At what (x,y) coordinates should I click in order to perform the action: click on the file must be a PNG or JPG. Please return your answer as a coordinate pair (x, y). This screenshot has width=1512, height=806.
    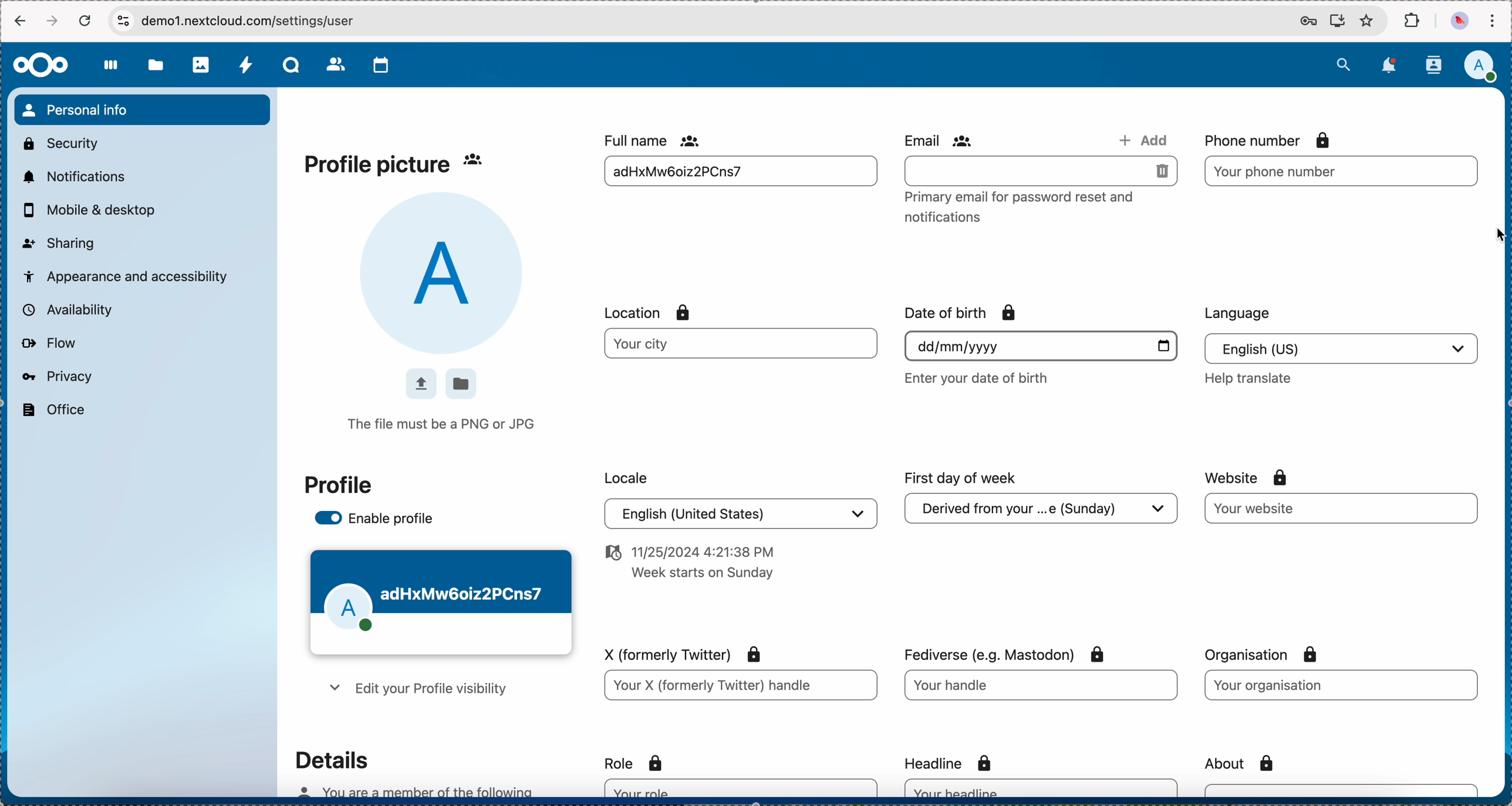
    Looking at the image, I should click on (444, 425).